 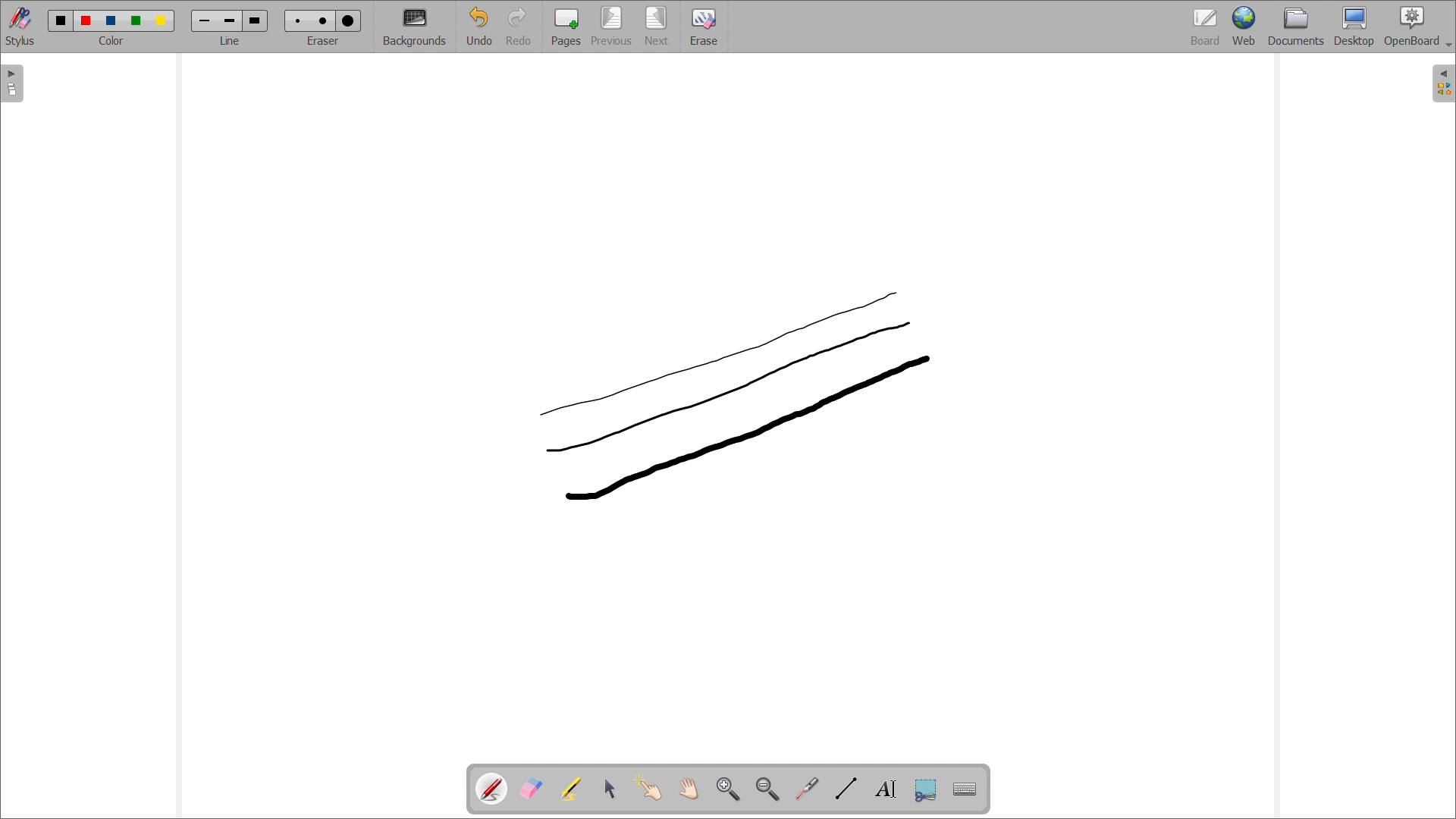 I want to click on open folder view, so click(x=1443, y=83).